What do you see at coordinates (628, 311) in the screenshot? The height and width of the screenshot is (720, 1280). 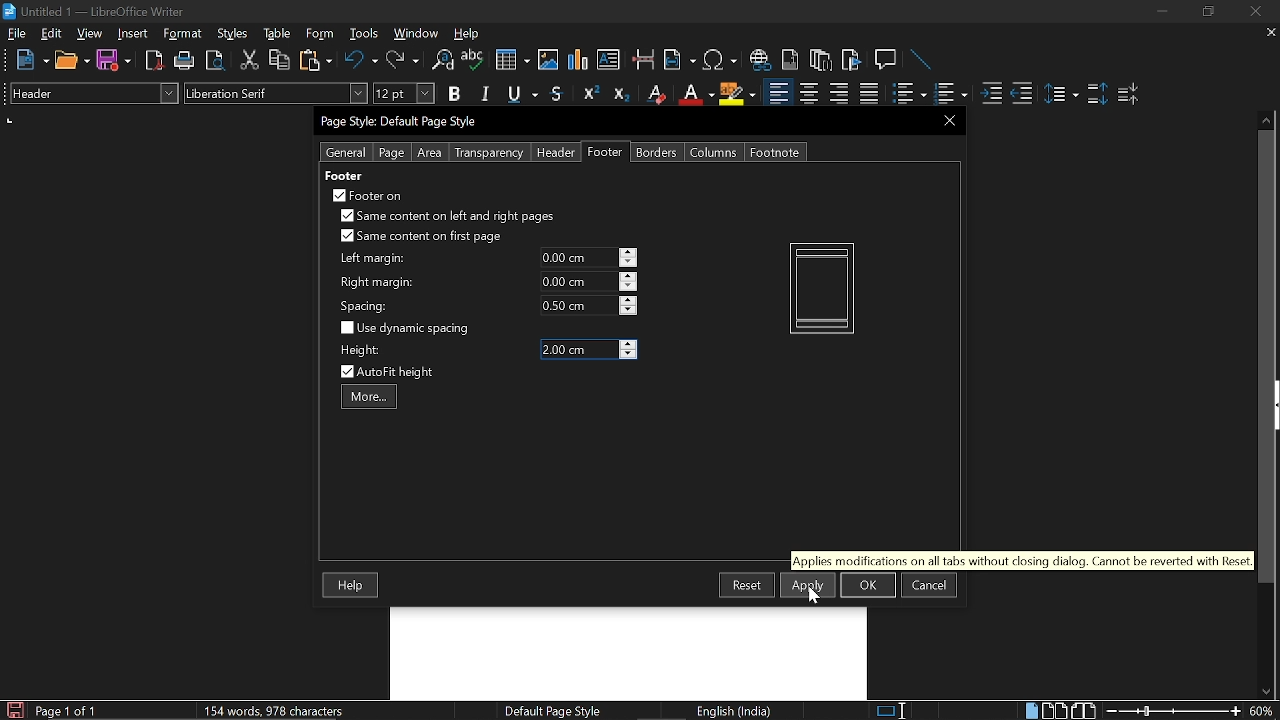 I see `decrease spacing` at bounding box center [628, 311].